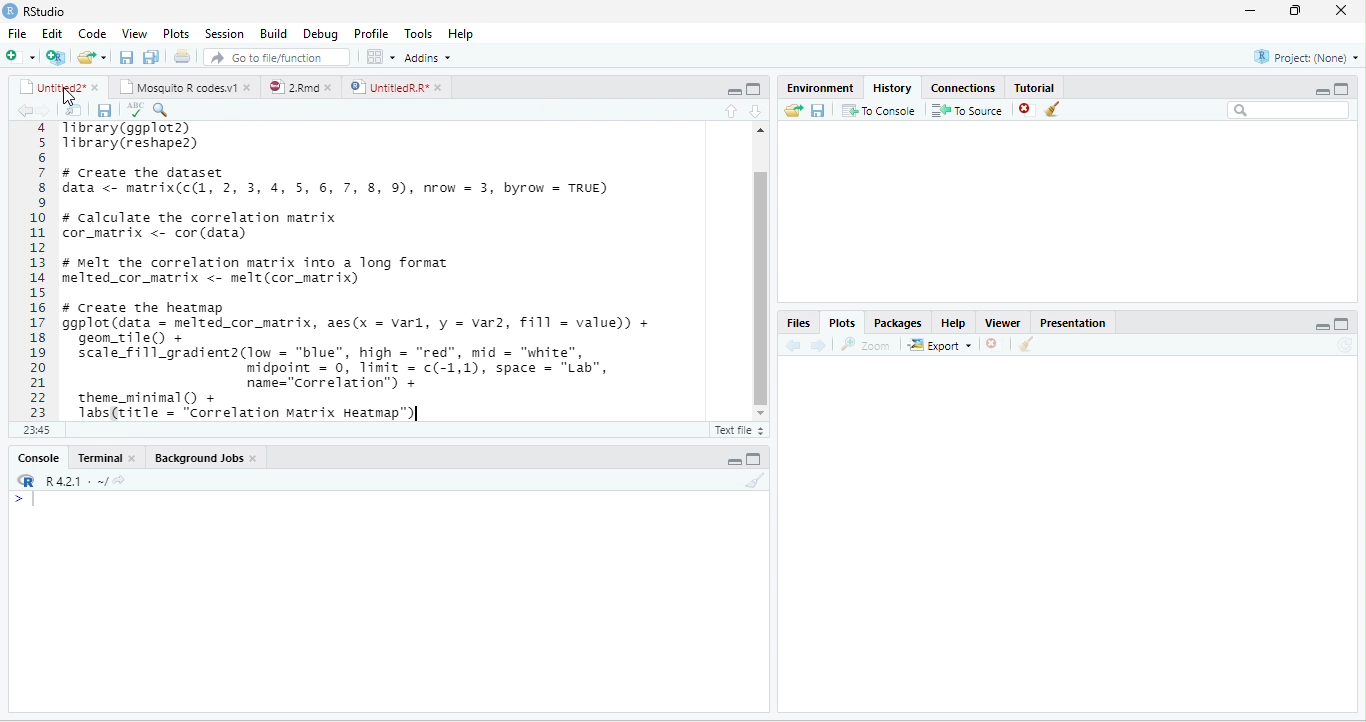  What do you see at coordinates (273, 32) in the screenshot?
I see `build` at bounding box center [273, 32].